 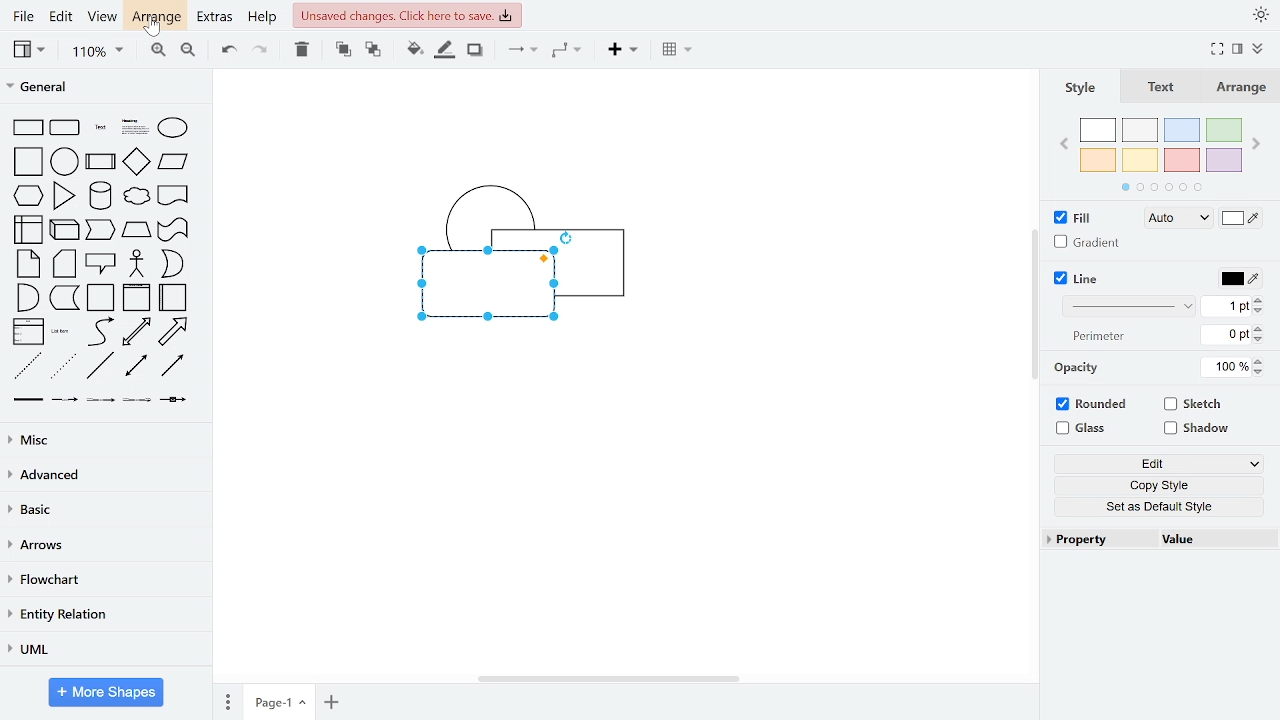 What do you see at coordinates (330, 701) in the screenshot?
I see `add page` at bounding box center [330, 701].